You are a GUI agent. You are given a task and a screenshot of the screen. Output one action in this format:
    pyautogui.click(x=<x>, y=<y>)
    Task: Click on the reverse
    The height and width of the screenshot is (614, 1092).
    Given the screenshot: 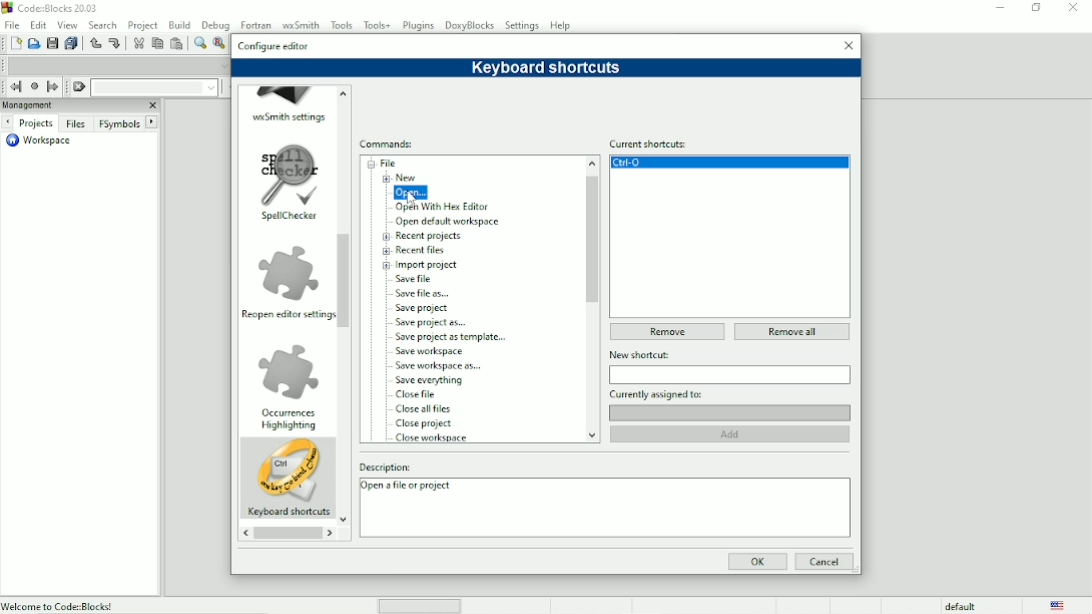 What is the action you would take?
    pyautogui.click(x=244, y=534)
    